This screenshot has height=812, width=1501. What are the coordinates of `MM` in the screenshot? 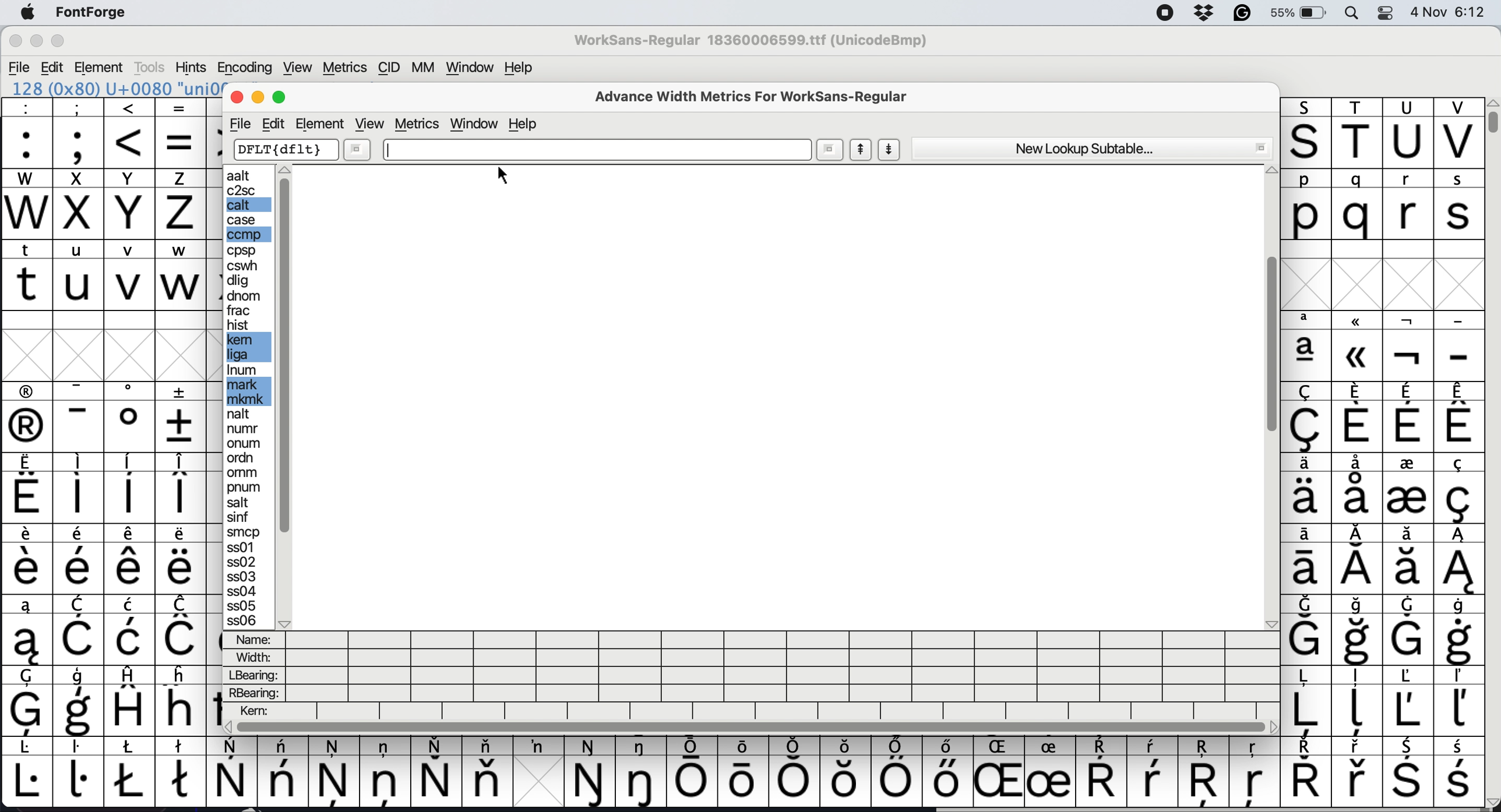 It's located at (426, 66).